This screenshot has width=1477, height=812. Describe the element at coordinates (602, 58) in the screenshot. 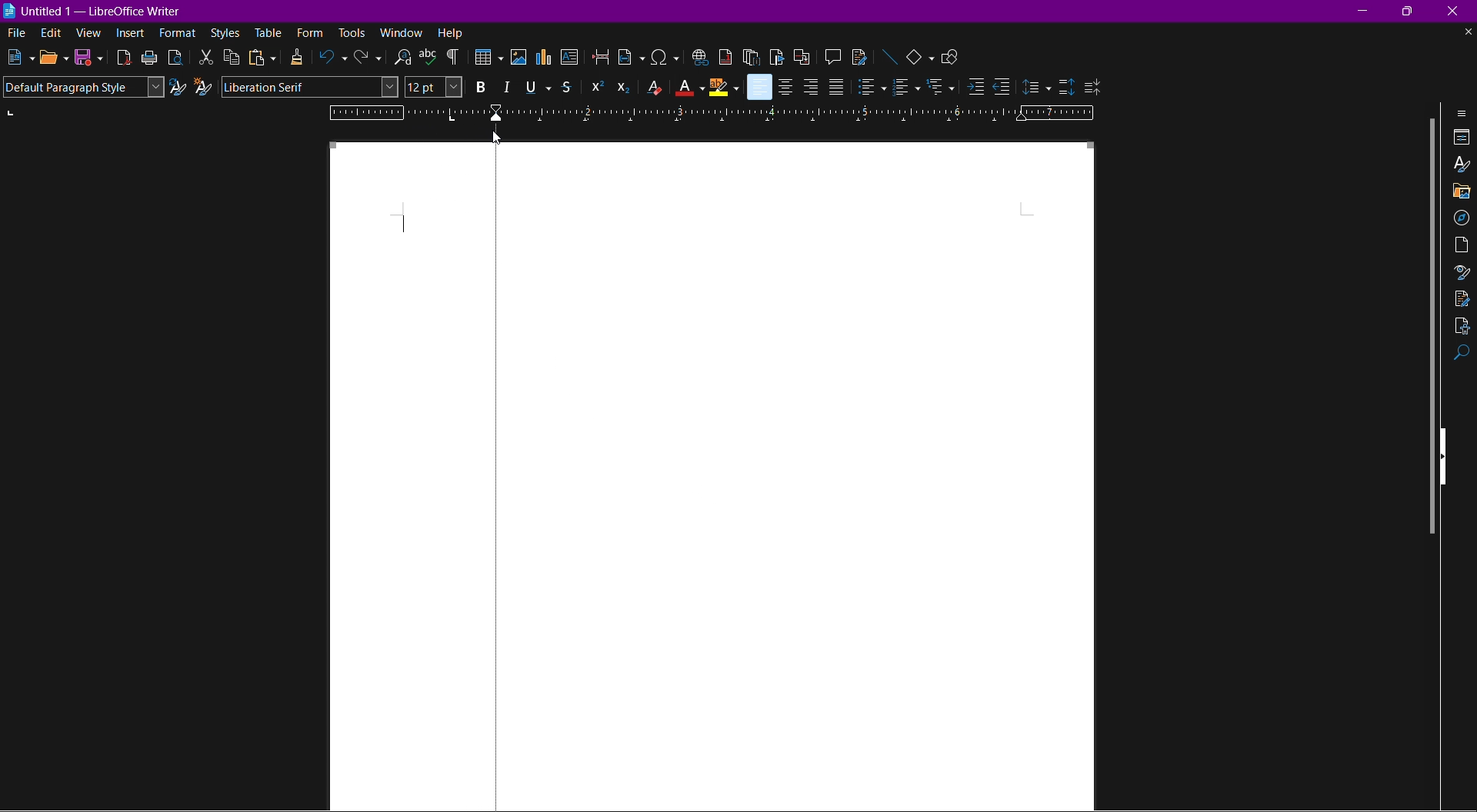

I see `Insert page break` at that location.